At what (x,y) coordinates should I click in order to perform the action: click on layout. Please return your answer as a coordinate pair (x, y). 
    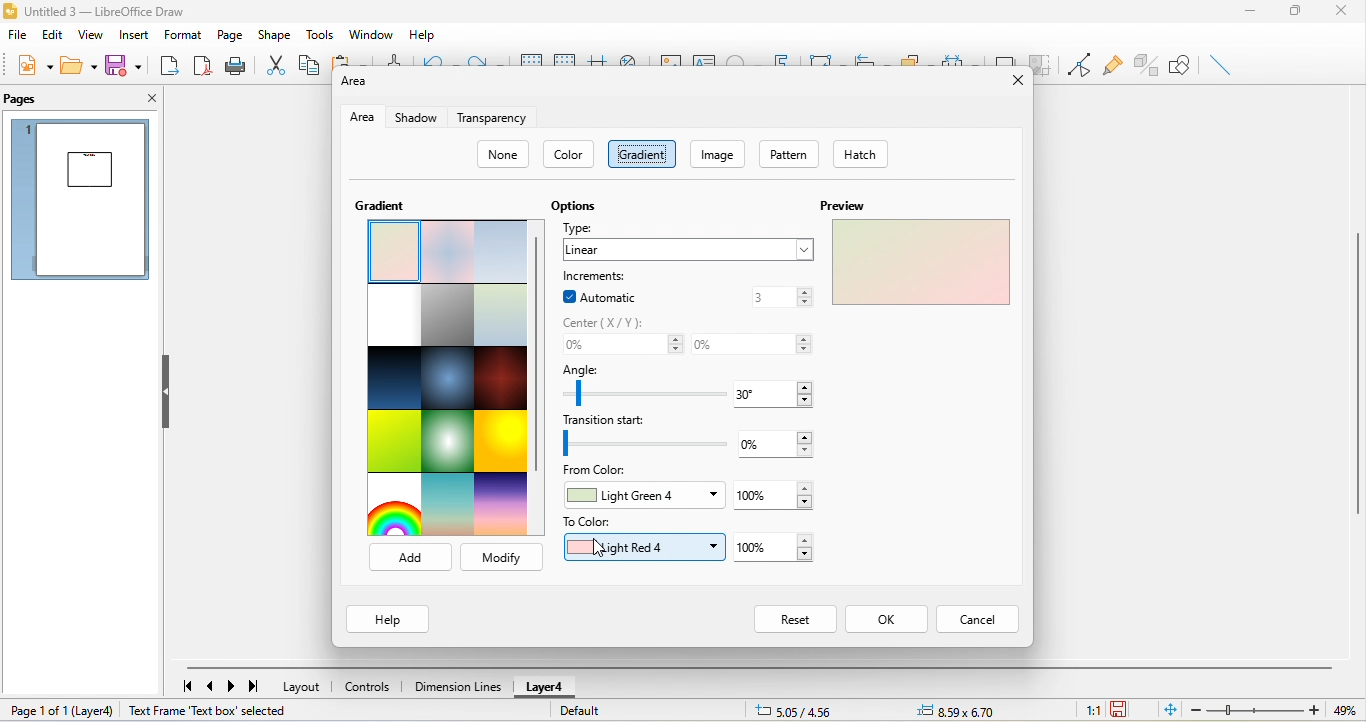
    Looking at the image, I should click on (304, 686).